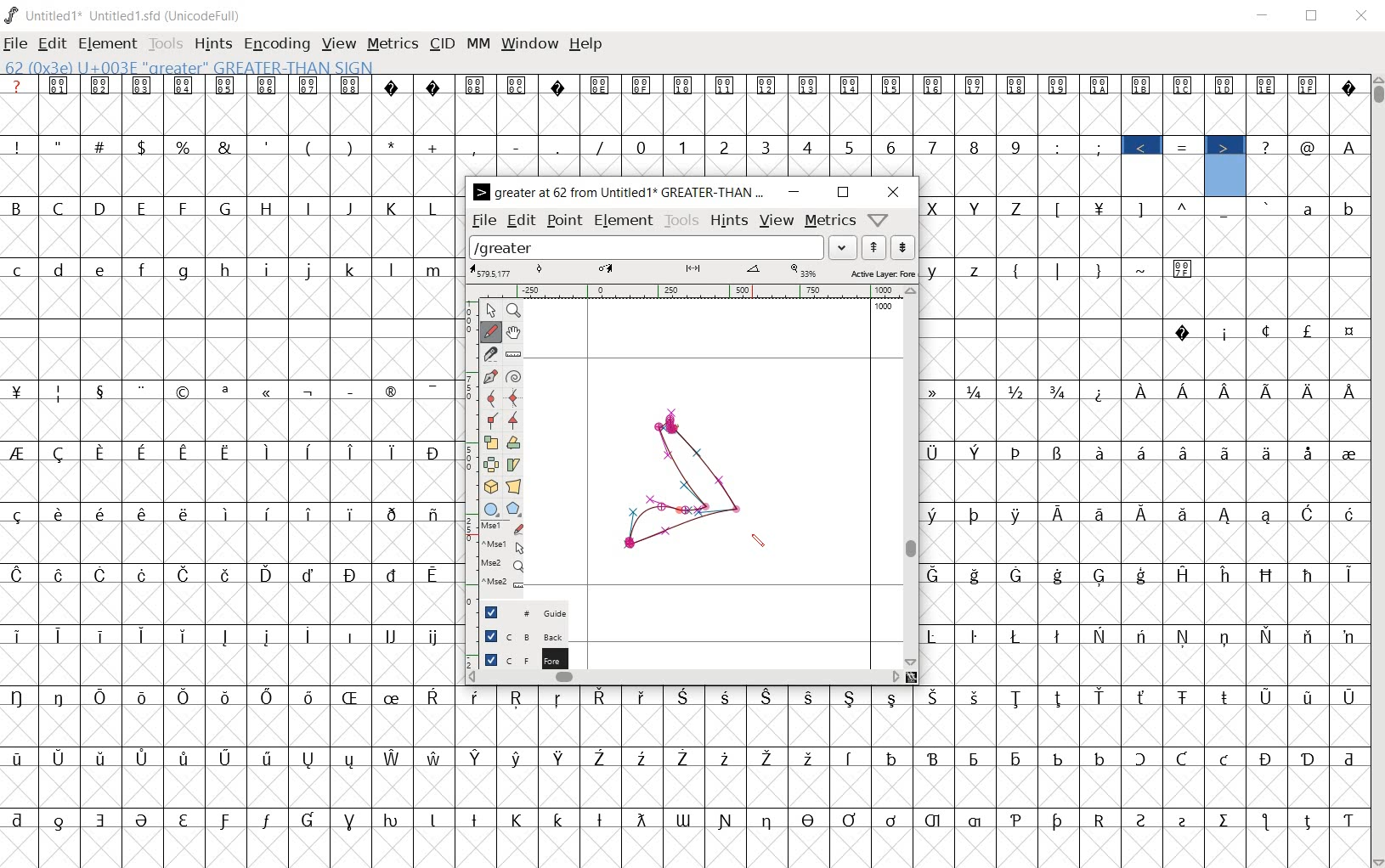 The width and height of the screenshot is (1385, 868). Describe the element at coordinates (490, 465) in the screenshot. I see `flip the selection` at that location.